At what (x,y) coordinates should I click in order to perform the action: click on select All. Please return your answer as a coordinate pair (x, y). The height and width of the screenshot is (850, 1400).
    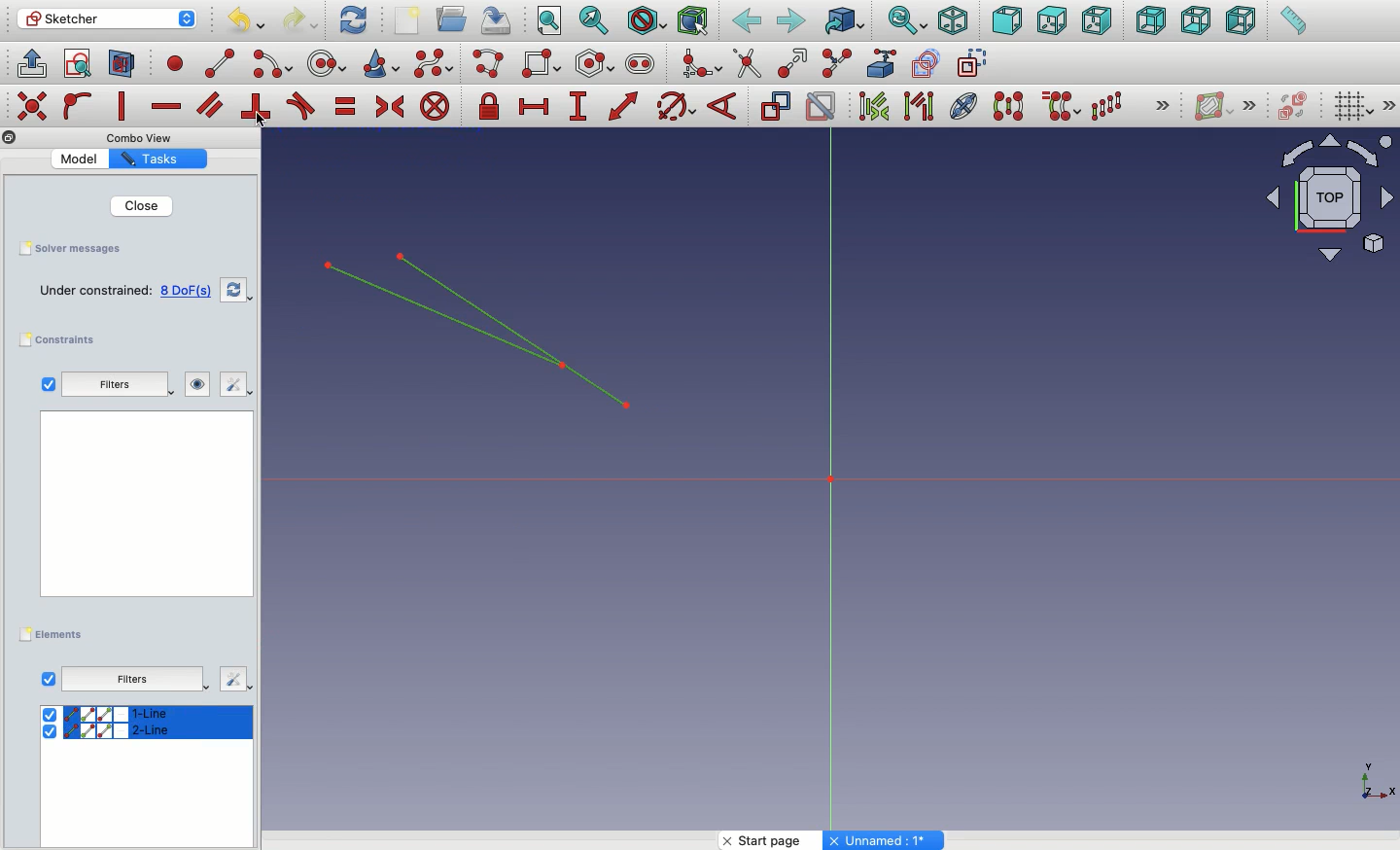
    Looking at the image, I should click on (146, 725).